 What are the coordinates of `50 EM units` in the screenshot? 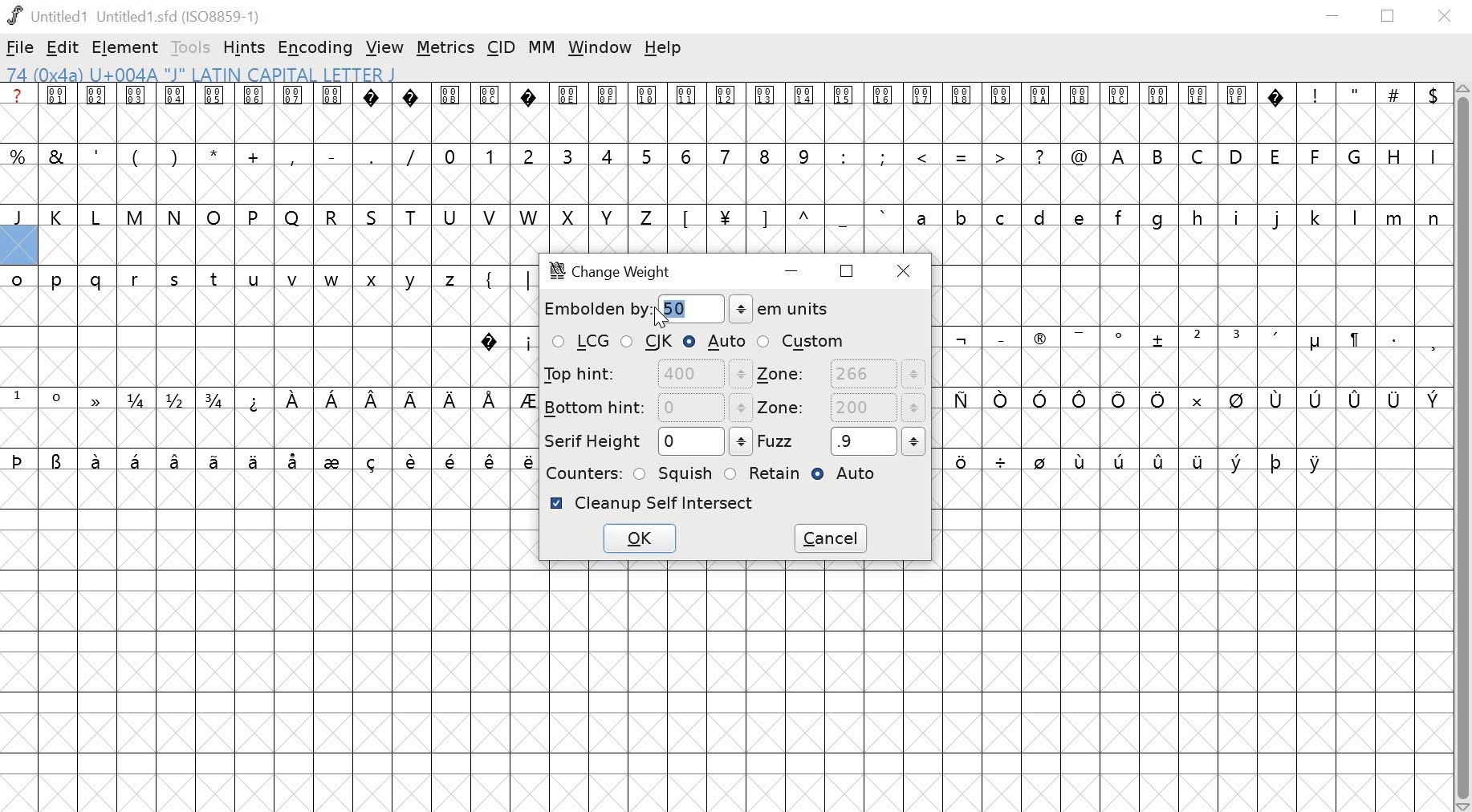 It's located at (678, 312).